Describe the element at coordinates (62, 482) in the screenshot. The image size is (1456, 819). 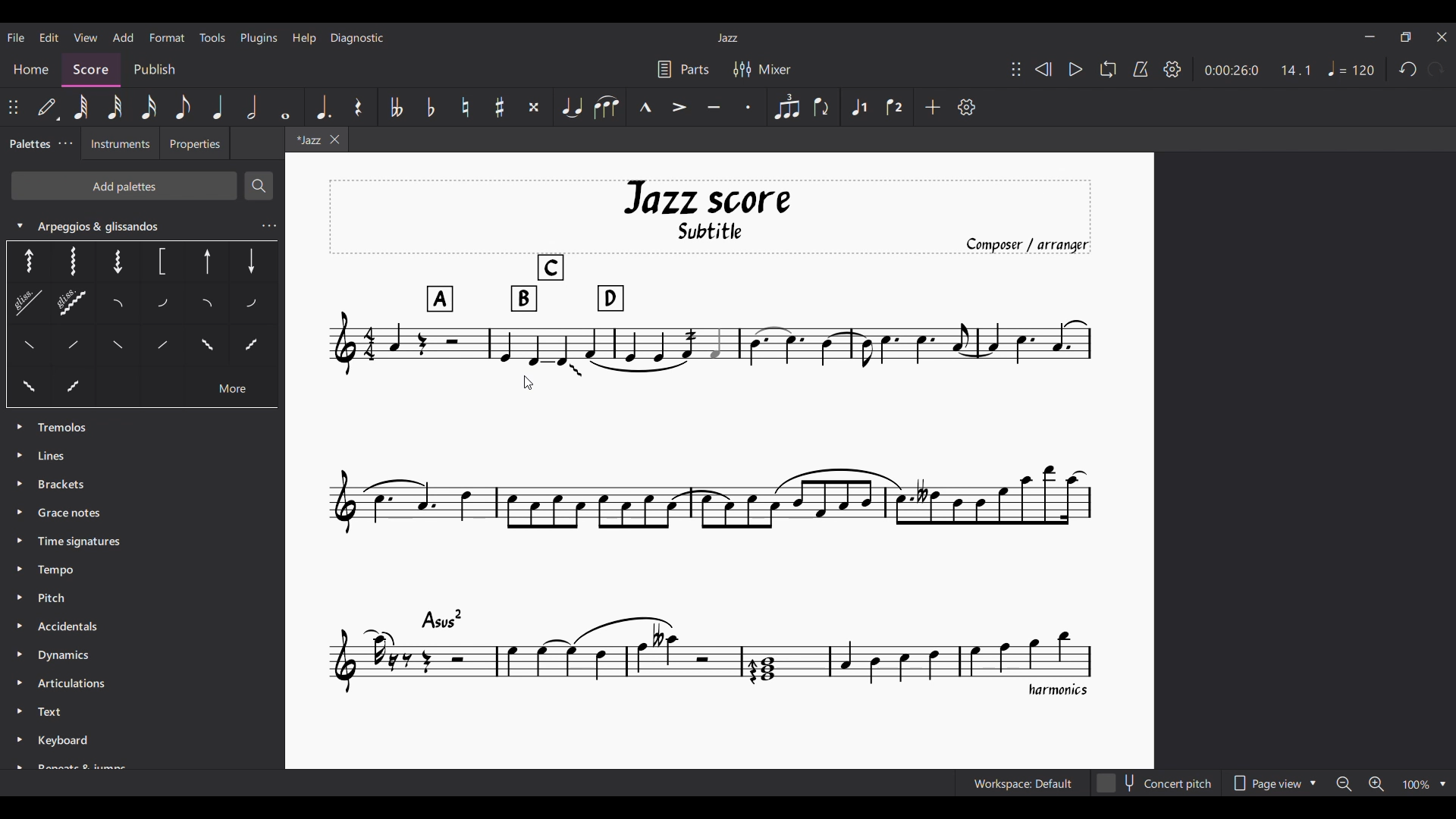
I see `Brackets` at that location.